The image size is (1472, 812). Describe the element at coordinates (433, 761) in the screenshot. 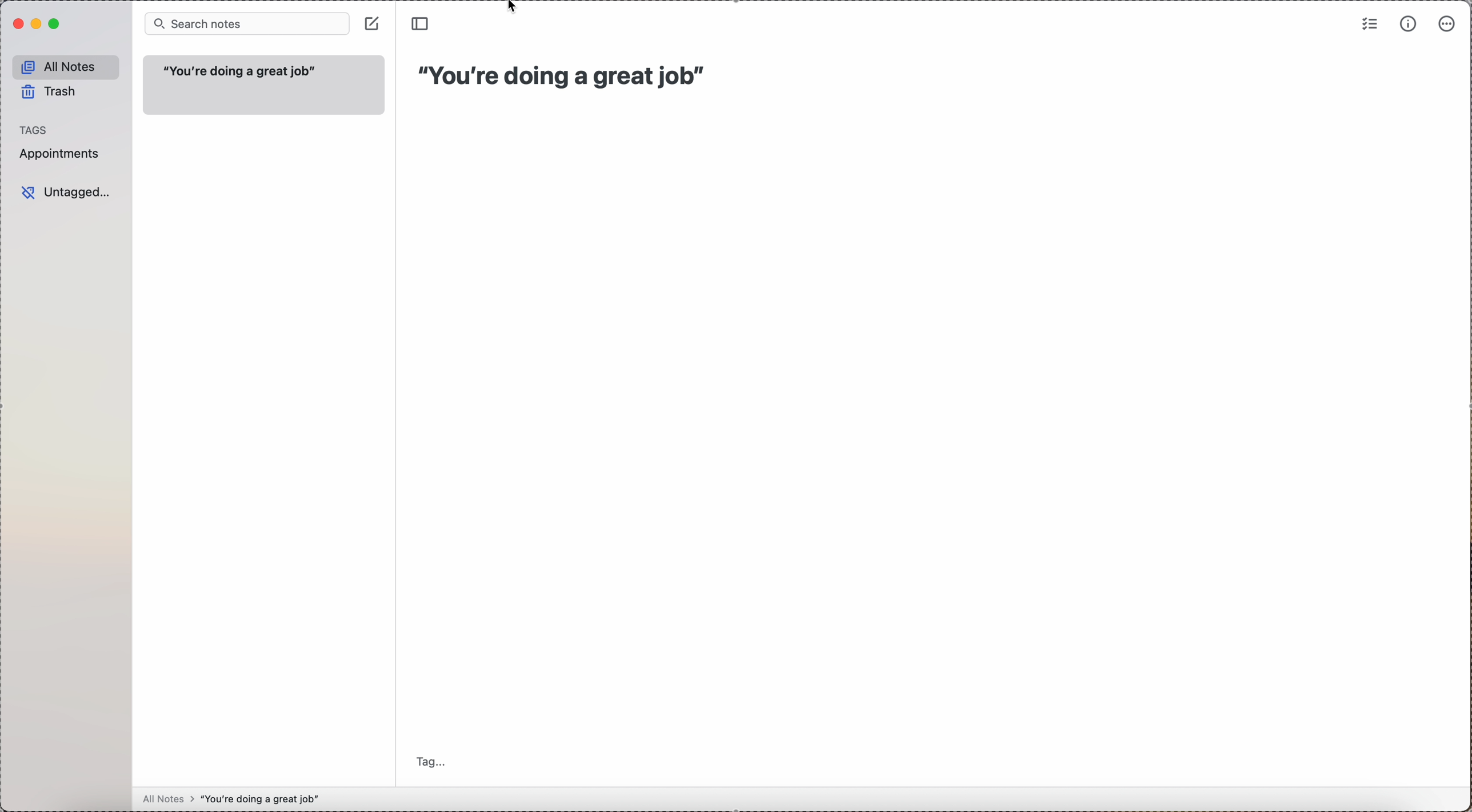

I see `tag` at that location.